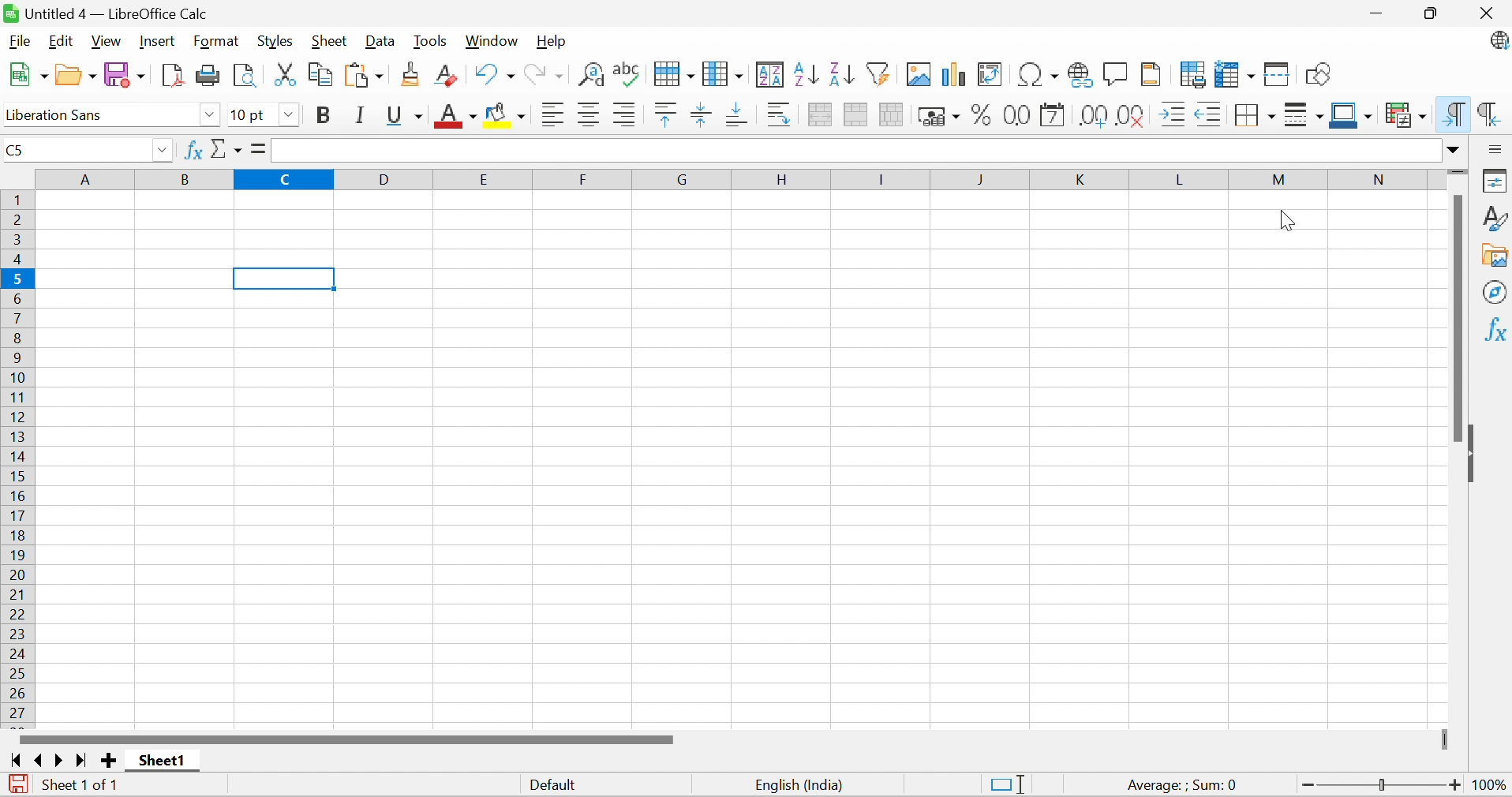  I want to click on The document has been modified. Click to save the document., so click(18, 786).